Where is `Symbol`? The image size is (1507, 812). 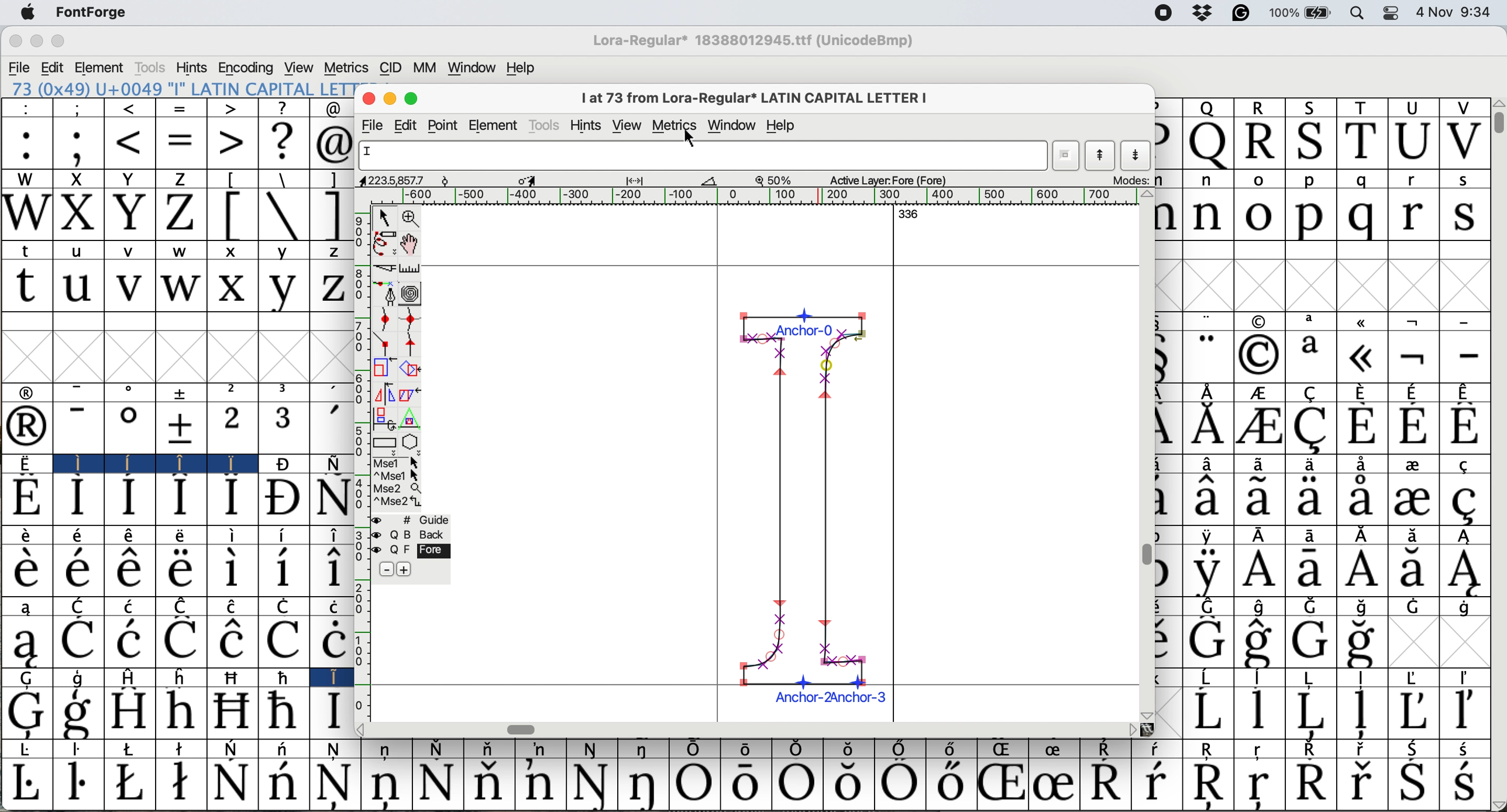
Symbol is located at coordinates (387, 751).